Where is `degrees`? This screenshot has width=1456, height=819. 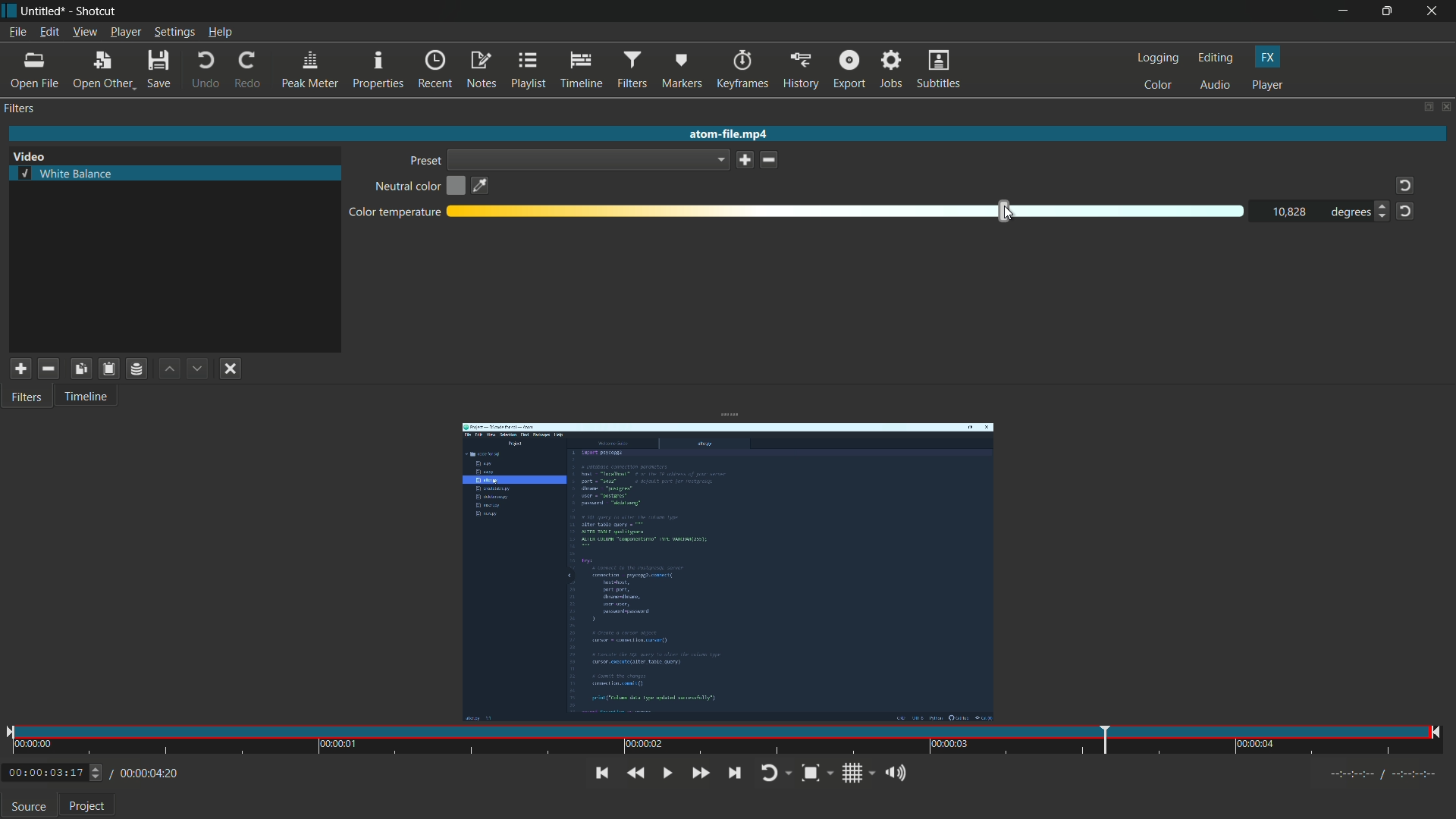 degrees is located at coordinates (1346, 212).